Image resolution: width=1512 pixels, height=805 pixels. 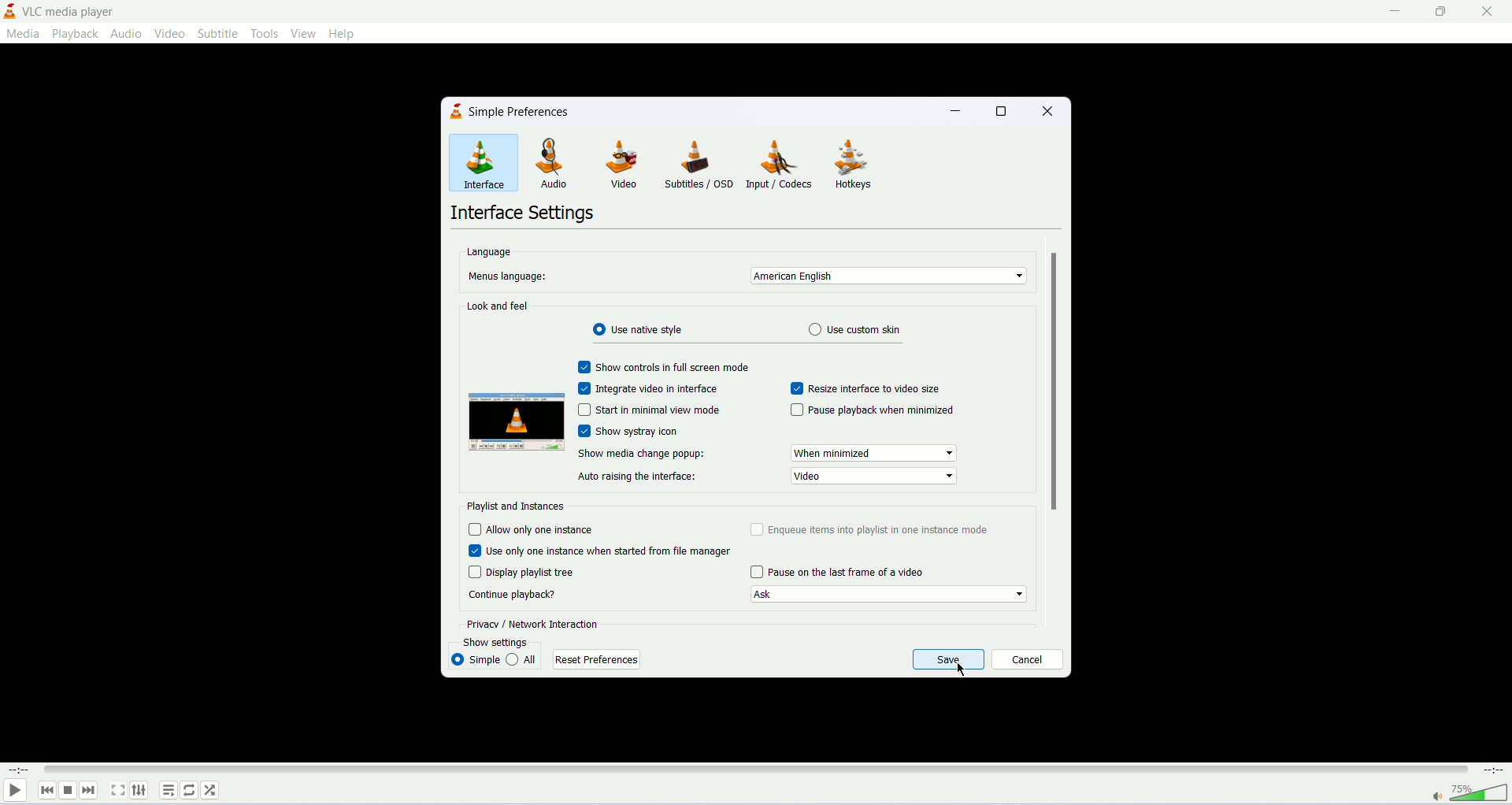 I want to click on interface settings, so click(x=524, y=214).